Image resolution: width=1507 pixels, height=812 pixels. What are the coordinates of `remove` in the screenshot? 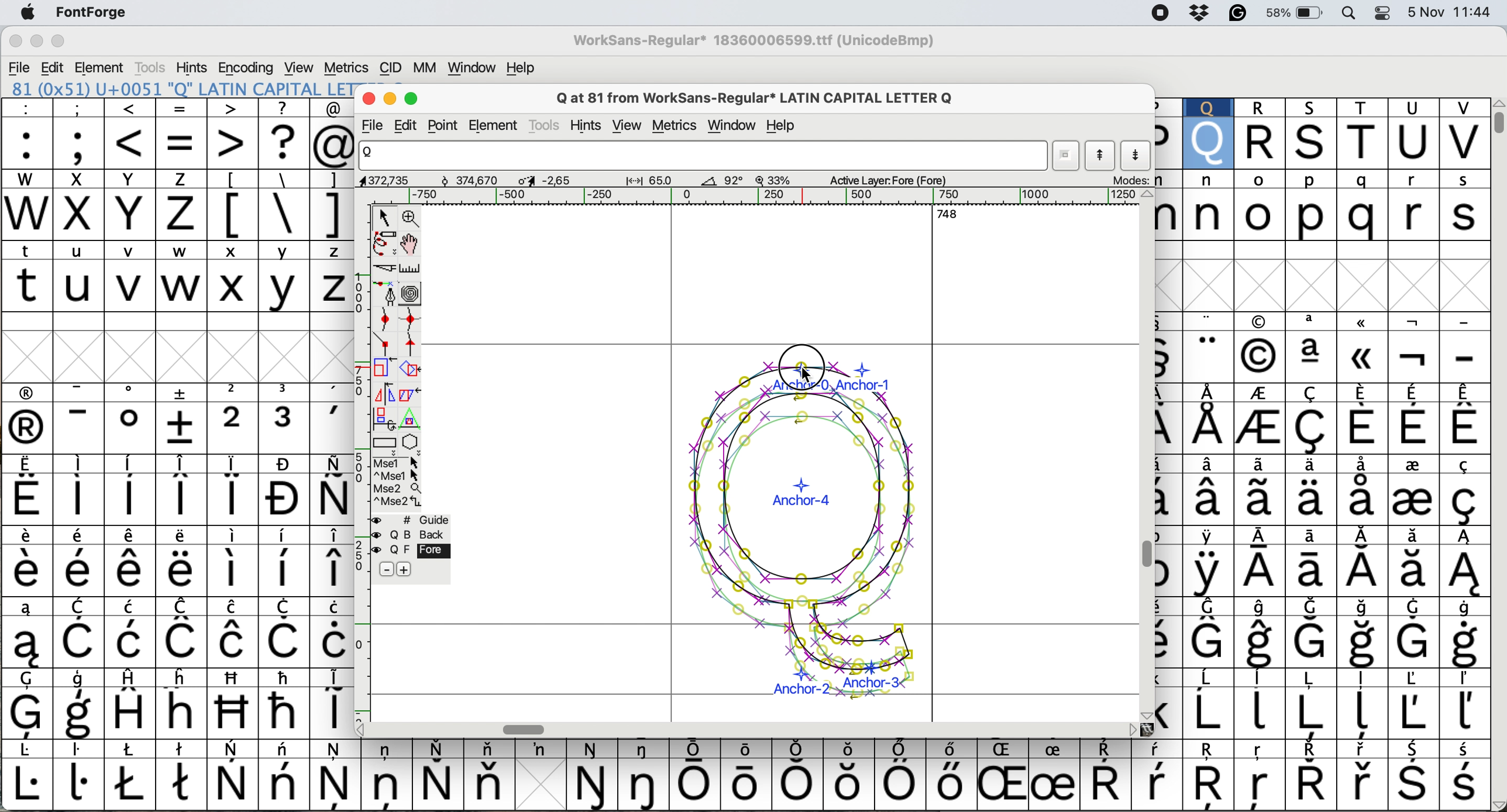 It's located at (384, 569).